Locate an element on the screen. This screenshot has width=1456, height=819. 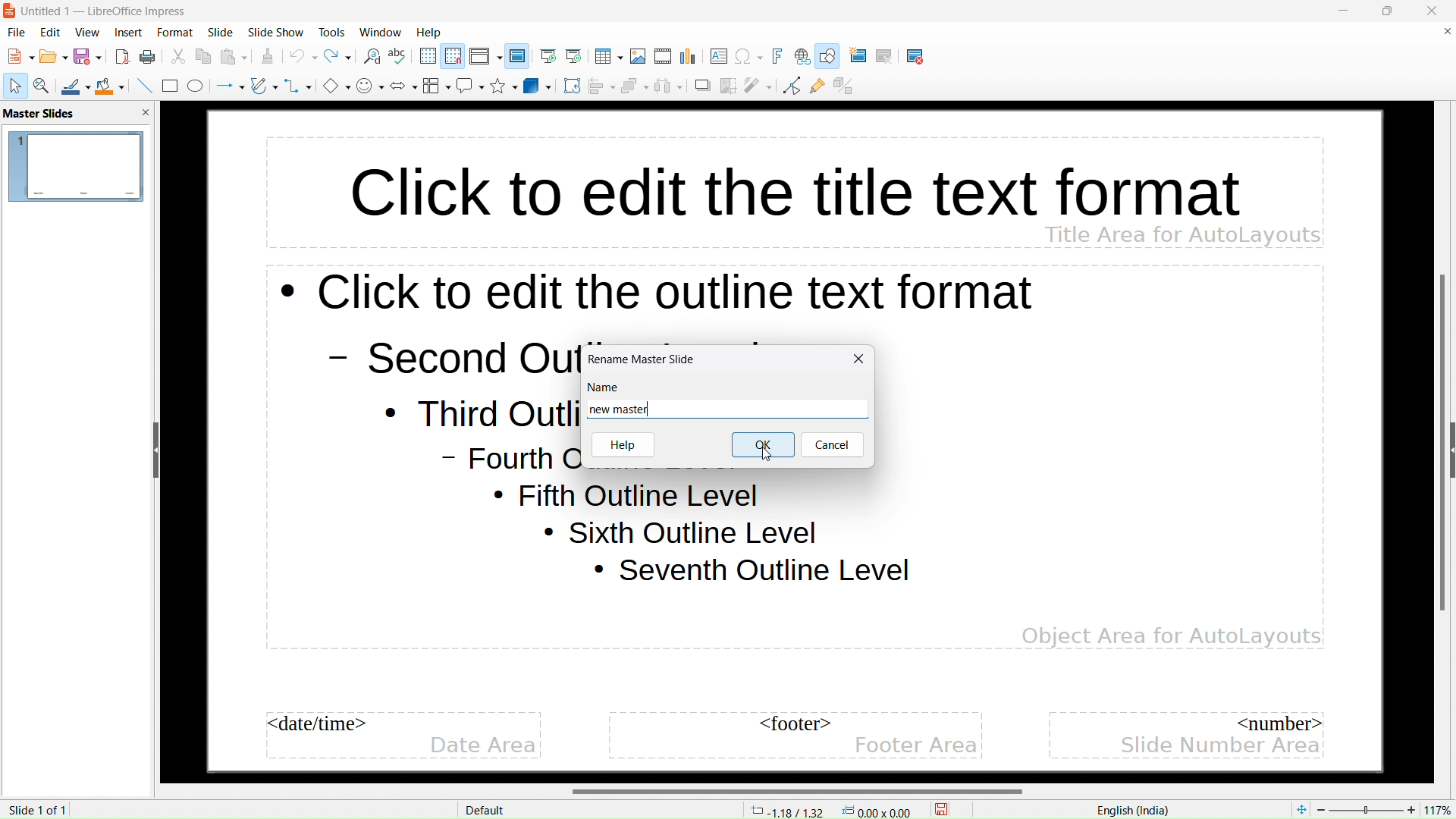
click to edit the title text format is located at coordinates (763, 180).